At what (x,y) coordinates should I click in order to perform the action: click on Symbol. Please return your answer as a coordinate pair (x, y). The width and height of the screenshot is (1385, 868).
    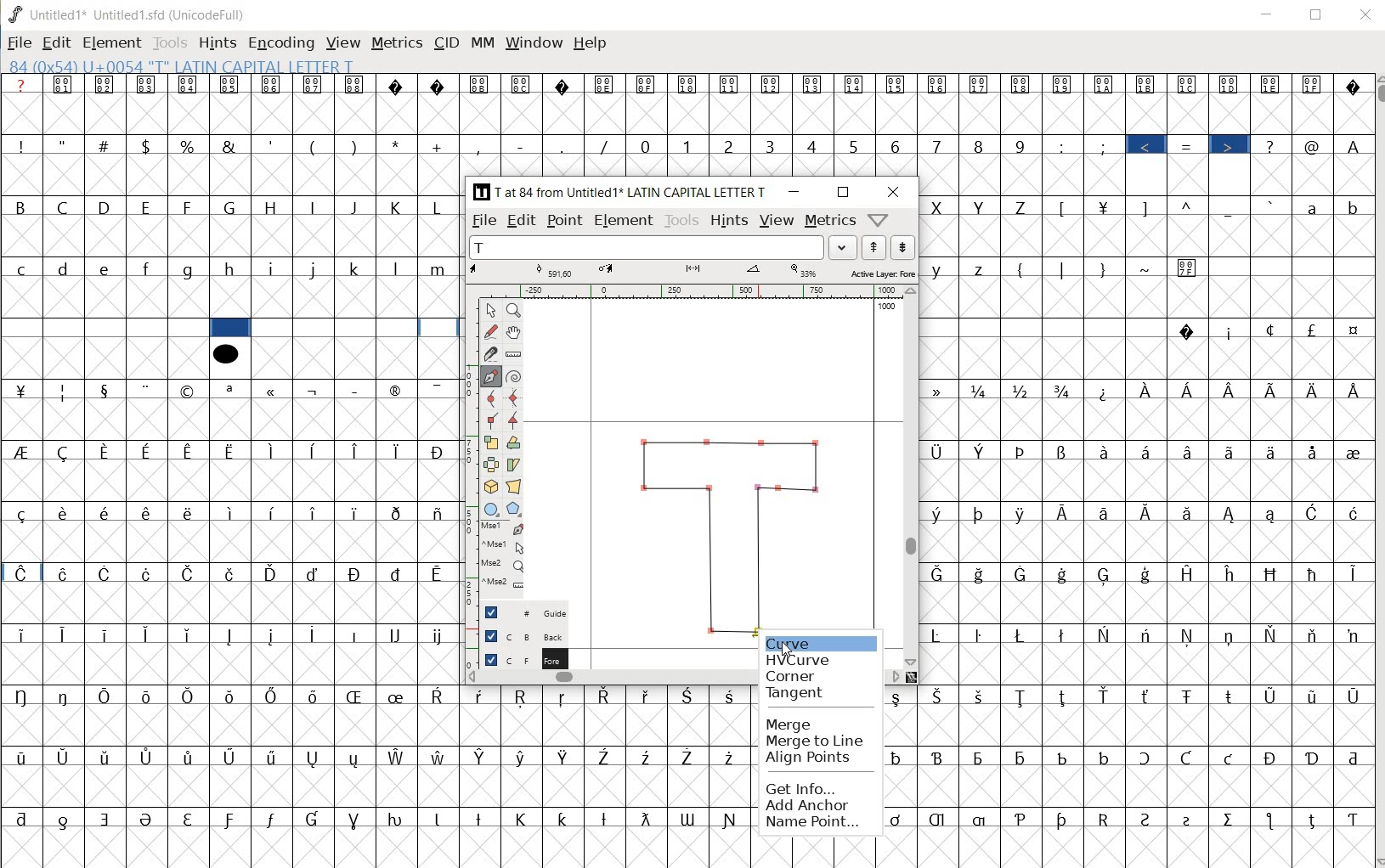
    Looking at the image, I should click on (230, 84).